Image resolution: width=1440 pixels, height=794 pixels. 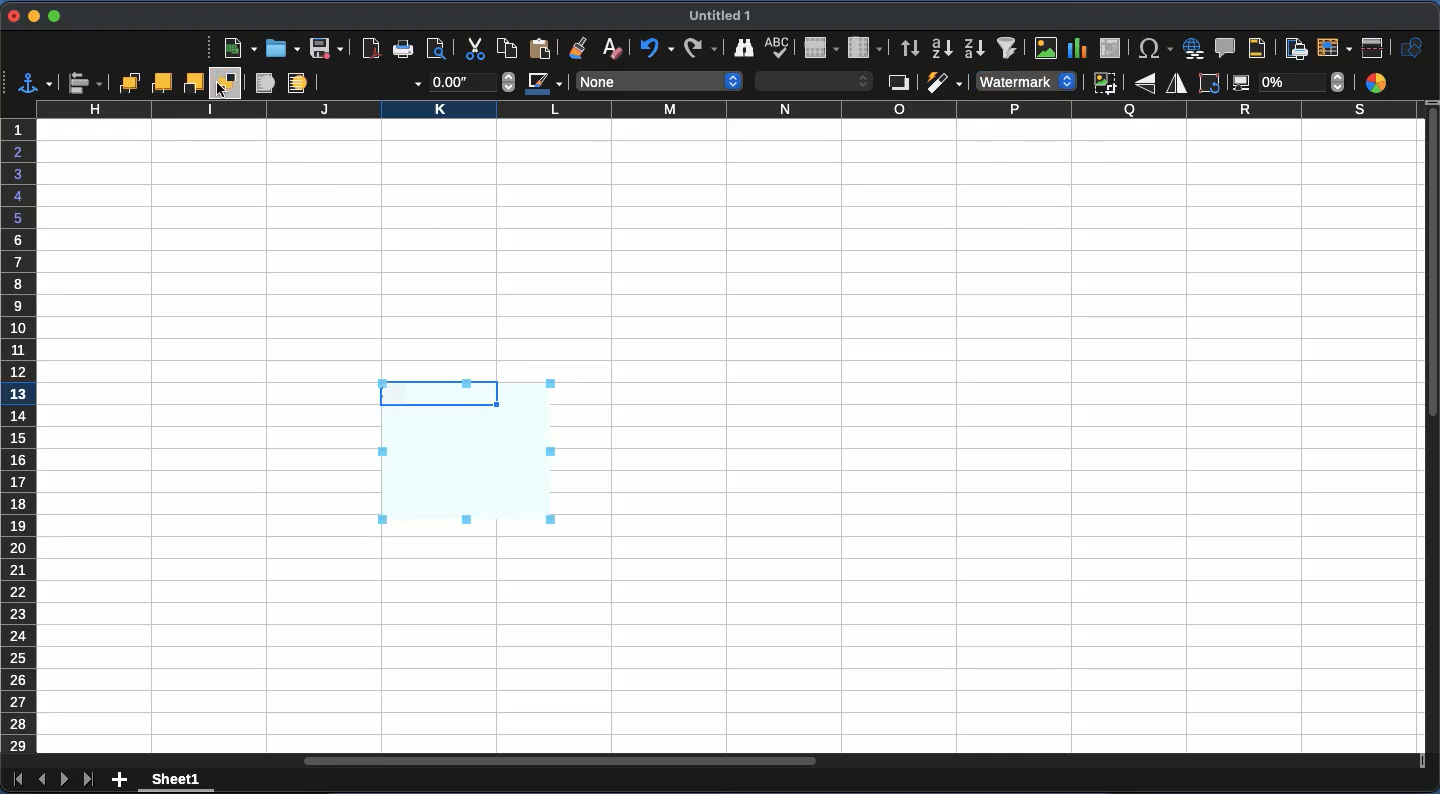 I want to click on chart, so click(x=1081, y=49).